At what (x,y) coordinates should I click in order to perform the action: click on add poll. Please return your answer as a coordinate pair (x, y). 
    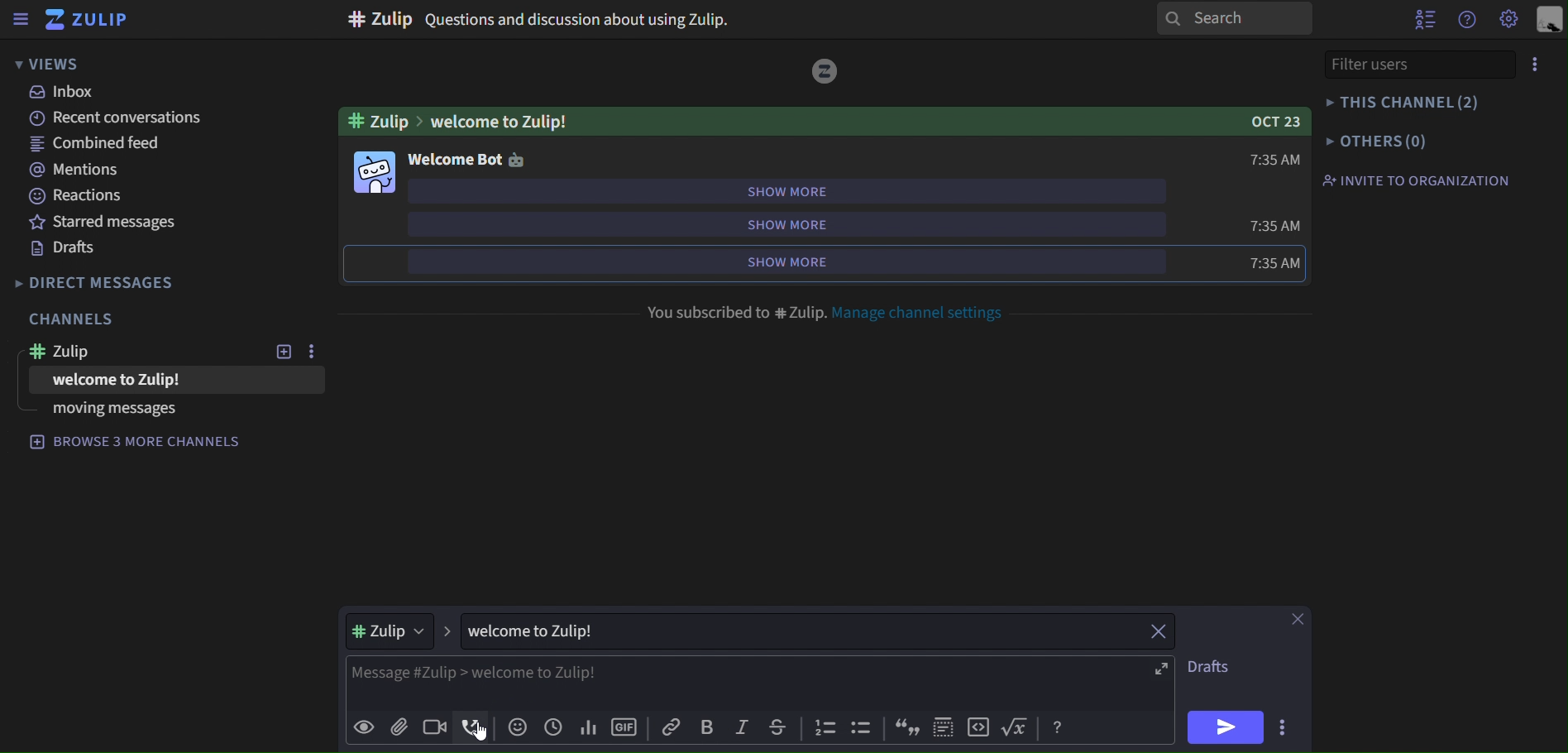
    Looking at the image, I should click on (586, 727).